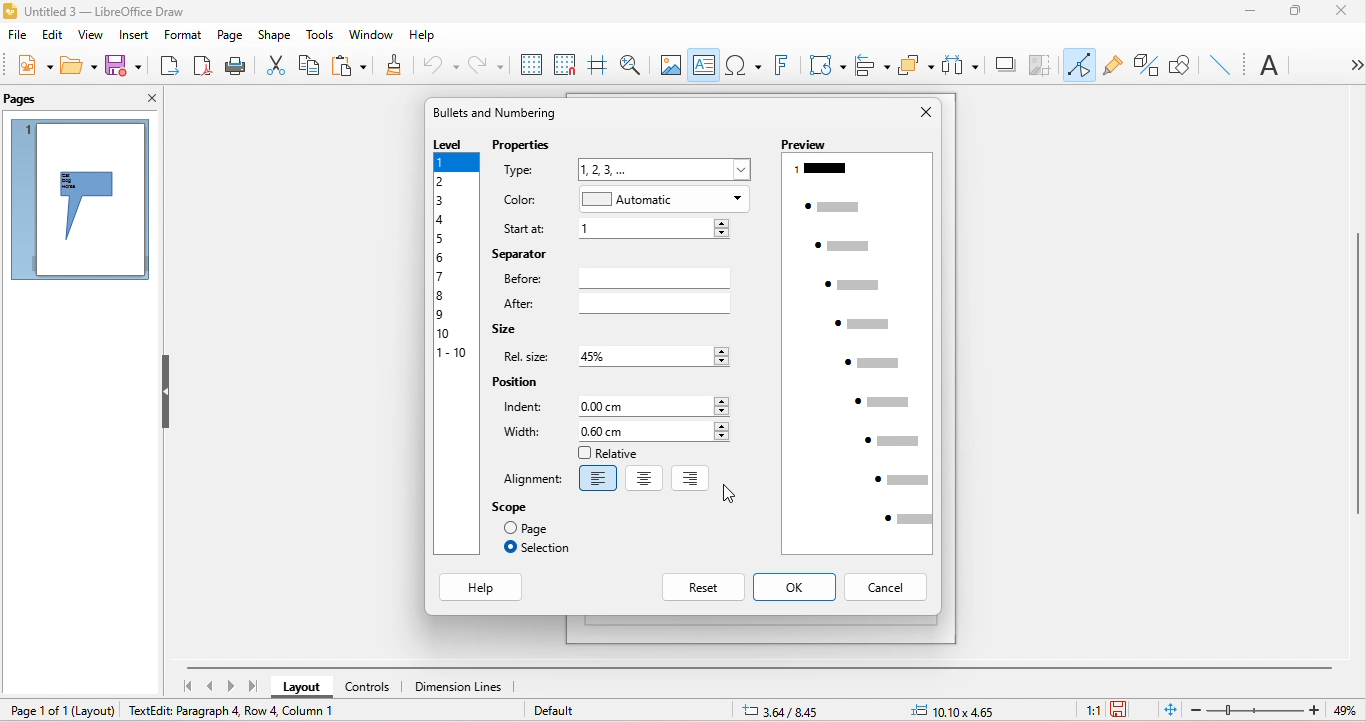 The width and height of the screenshot is (1366, 722). What do you see at coordinates (52, 34) in the screenshot?
I see `edit` at bounding box center [52, 34].